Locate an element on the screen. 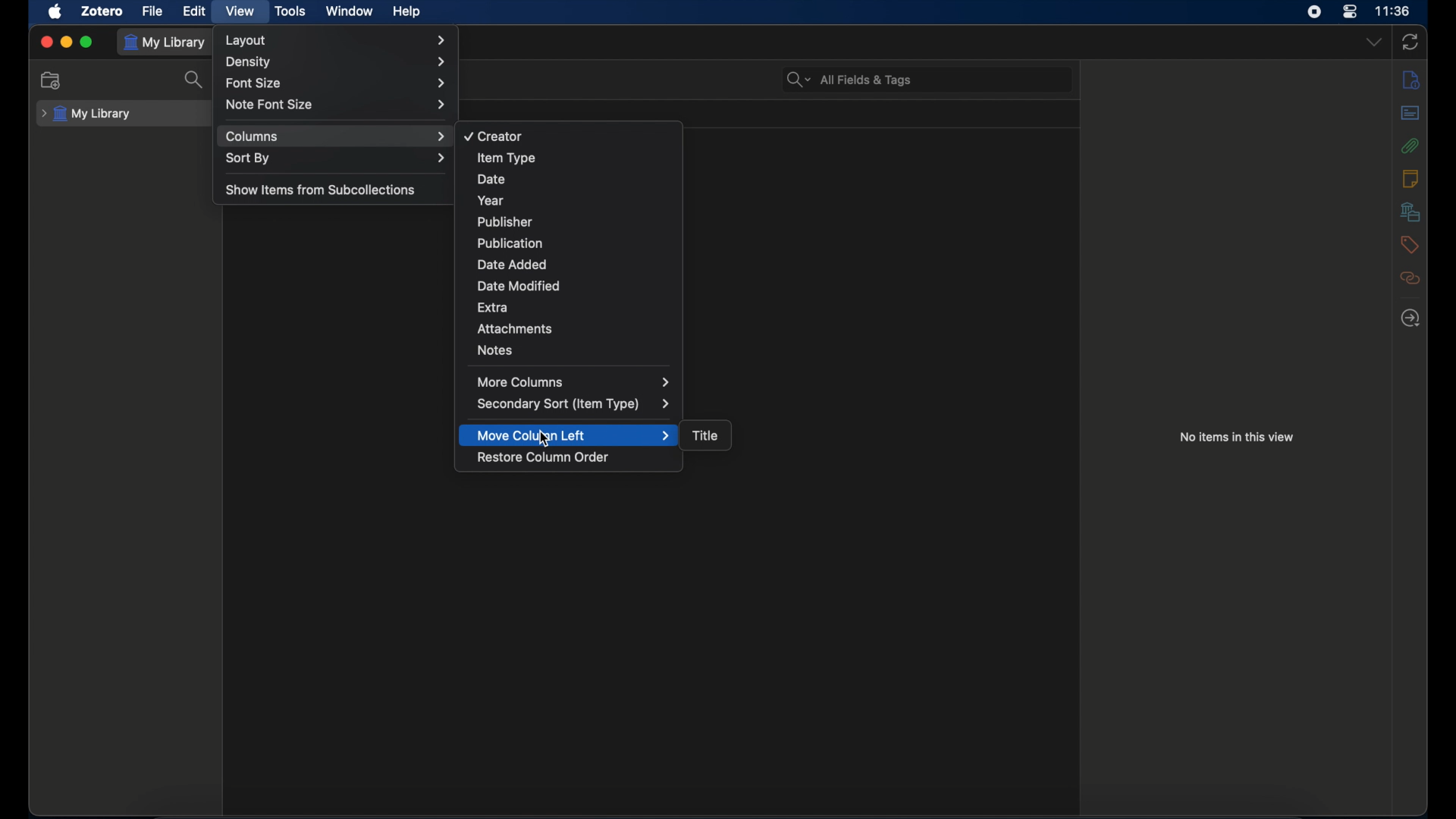  notes is located at coordinates (1411, 179).